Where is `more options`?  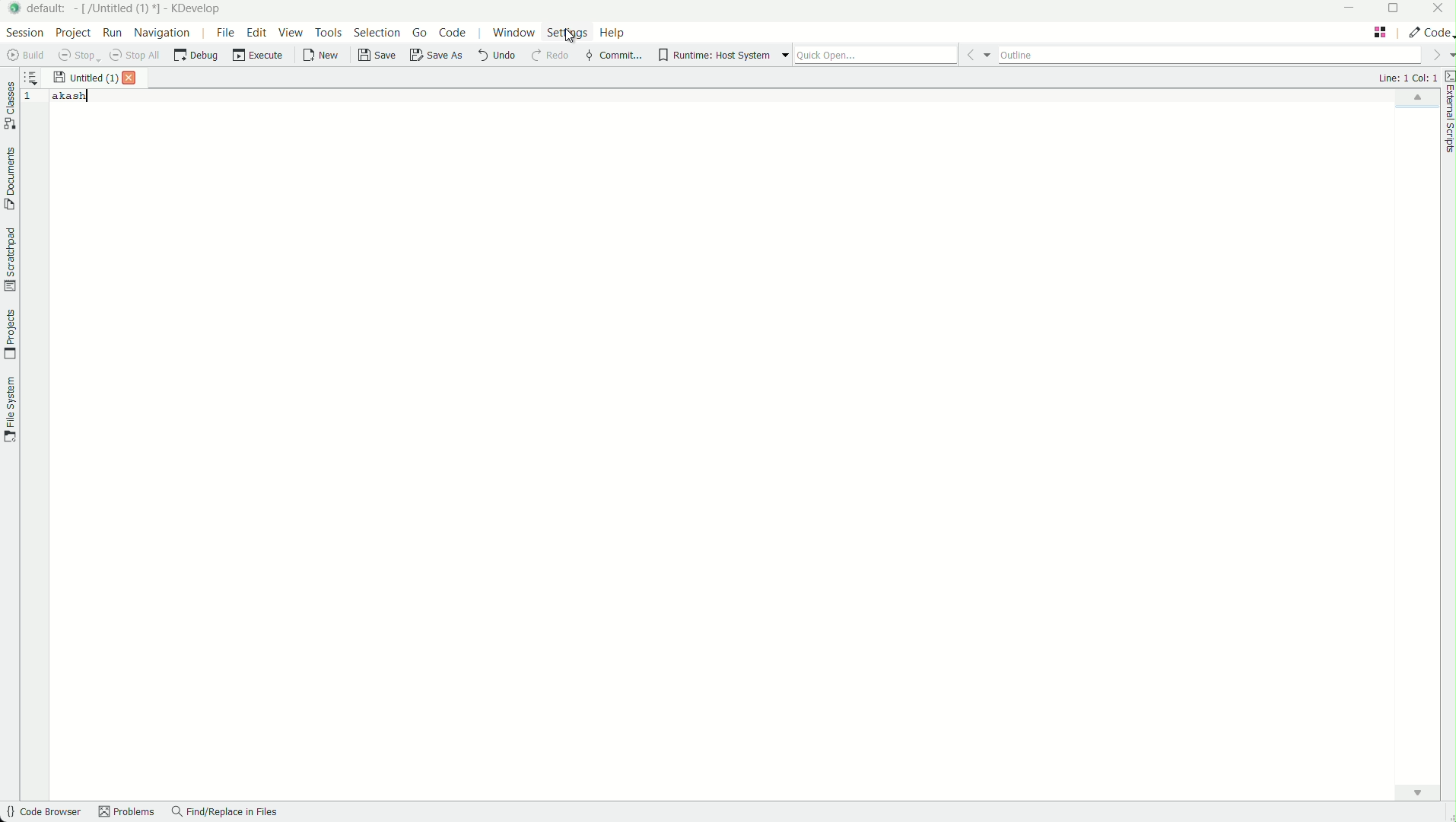 more options is located at coordinates (785, 56).